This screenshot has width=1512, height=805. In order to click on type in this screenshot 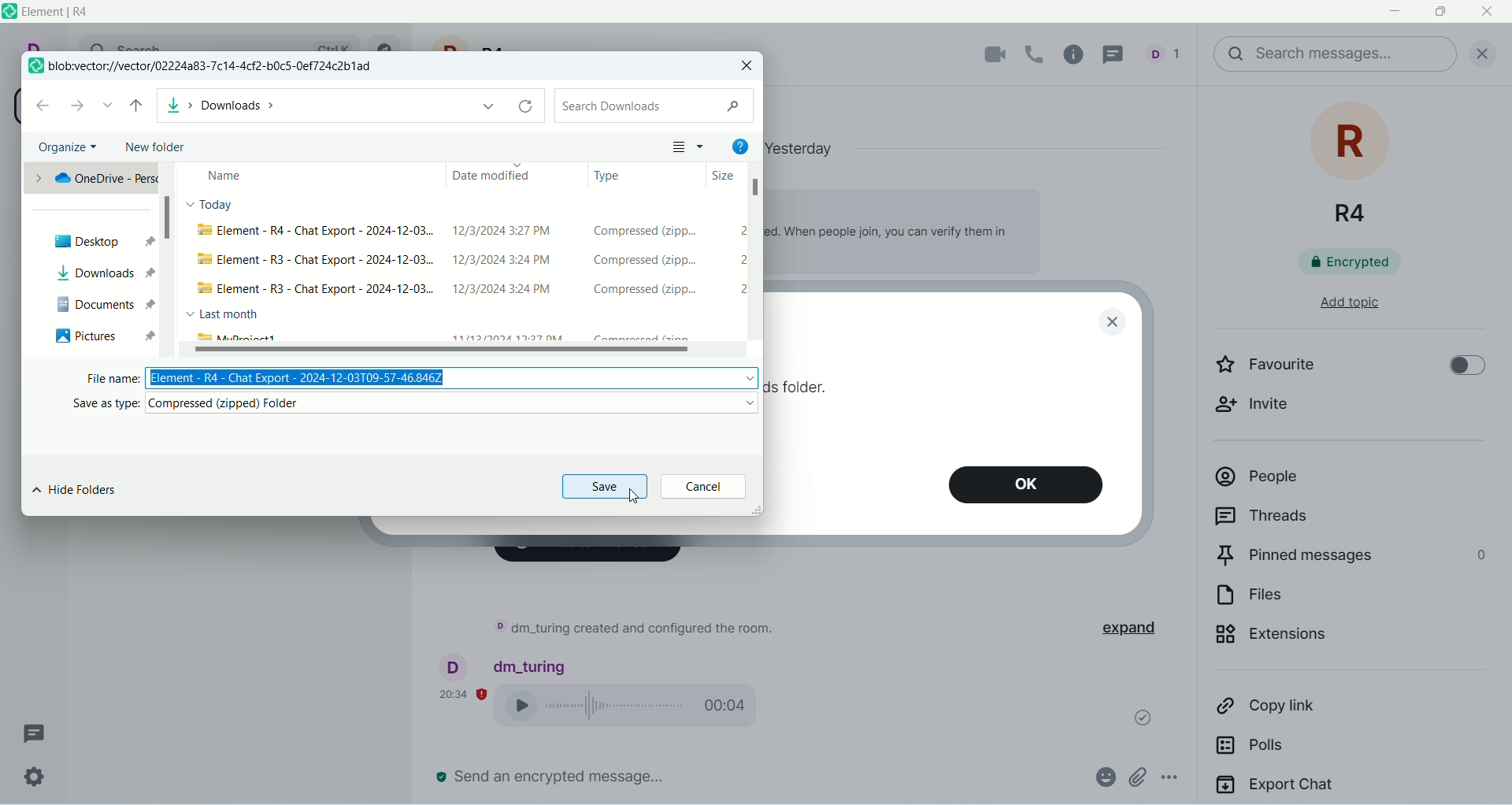, I will do `click(613, 180)`.